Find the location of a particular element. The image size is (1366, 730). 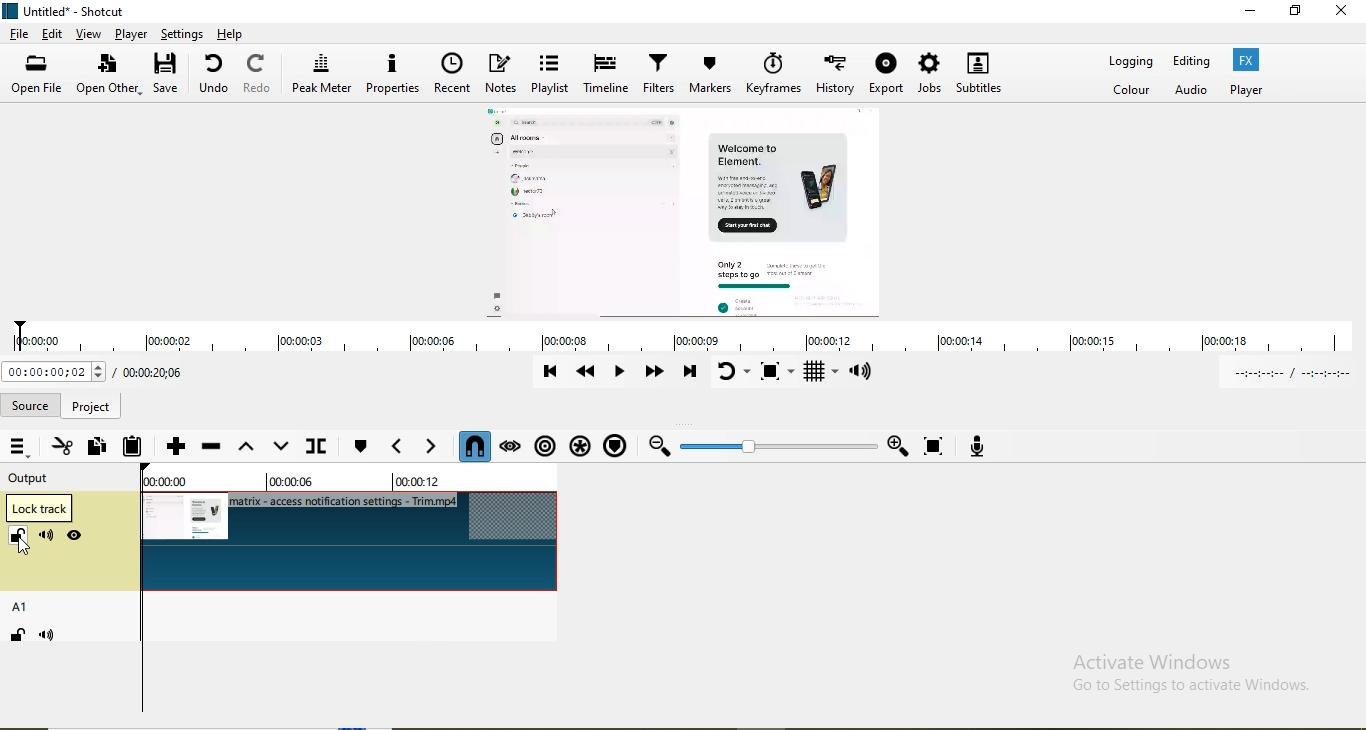

Copy is located at coordinates (95, 448).